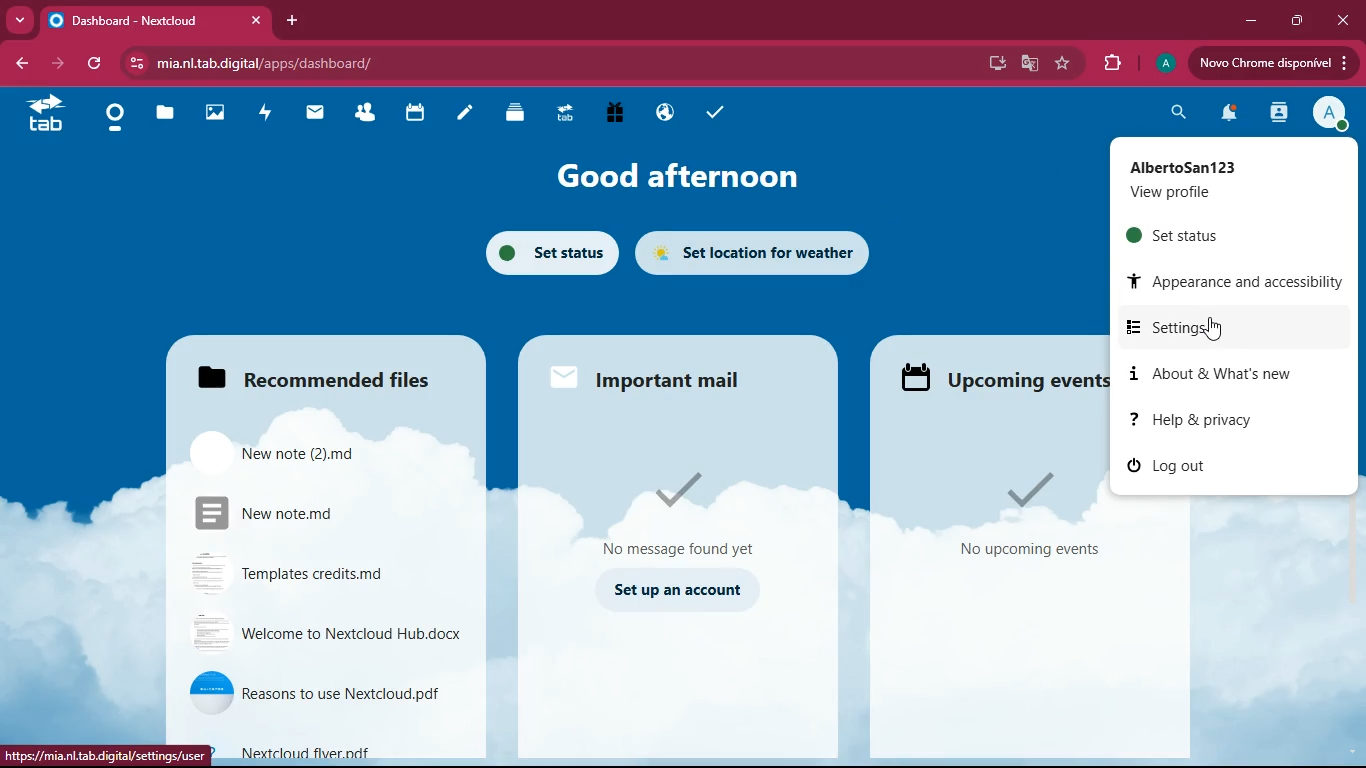  Describe the element at coordinates (1016, 524) in the screenshot. I see `events` at that location.